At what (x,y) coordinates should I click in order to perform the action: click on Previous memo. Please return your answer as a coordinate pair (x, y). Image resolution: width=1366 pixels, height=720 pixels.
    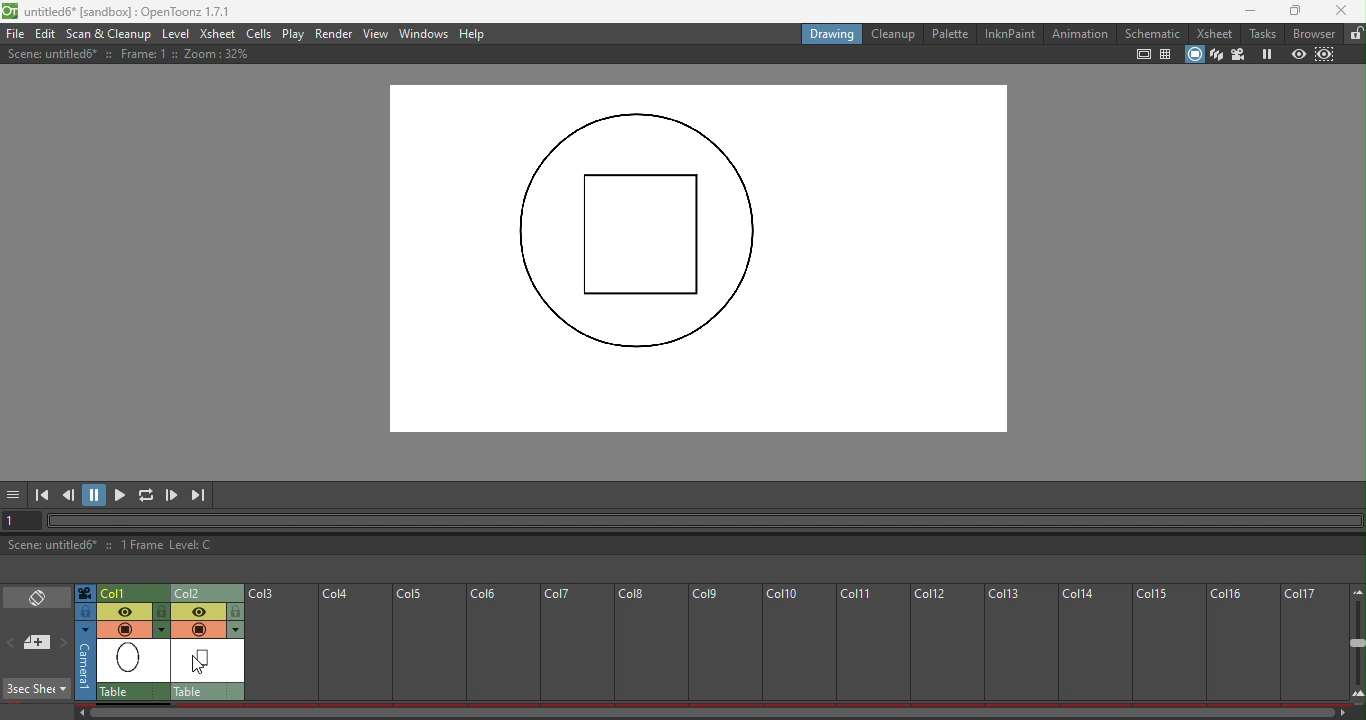
    Looking at the image, I should click on (13, 644).